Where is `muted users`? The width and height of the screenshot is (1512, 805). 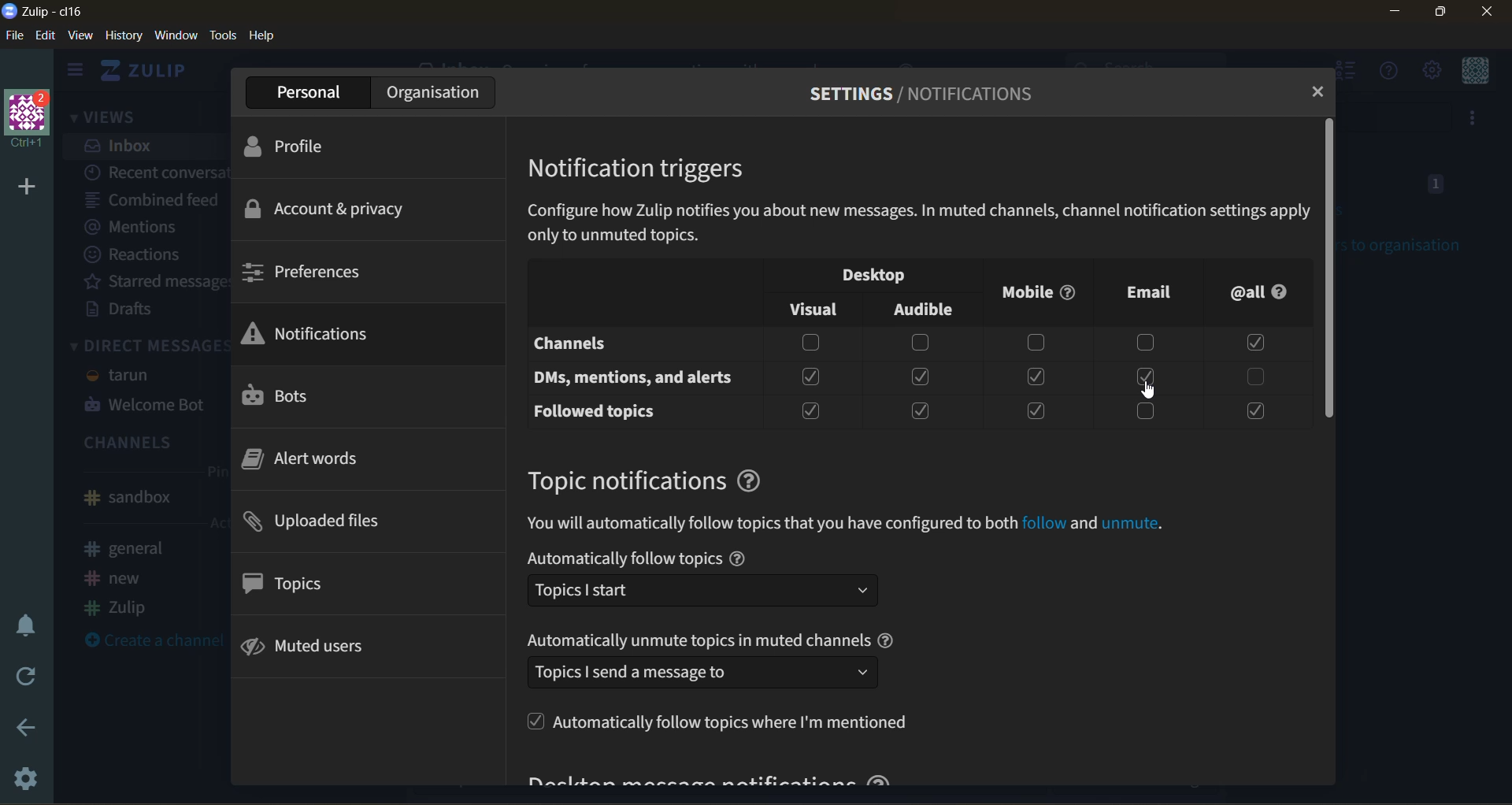 muted users is located at coordinates (320, 649).